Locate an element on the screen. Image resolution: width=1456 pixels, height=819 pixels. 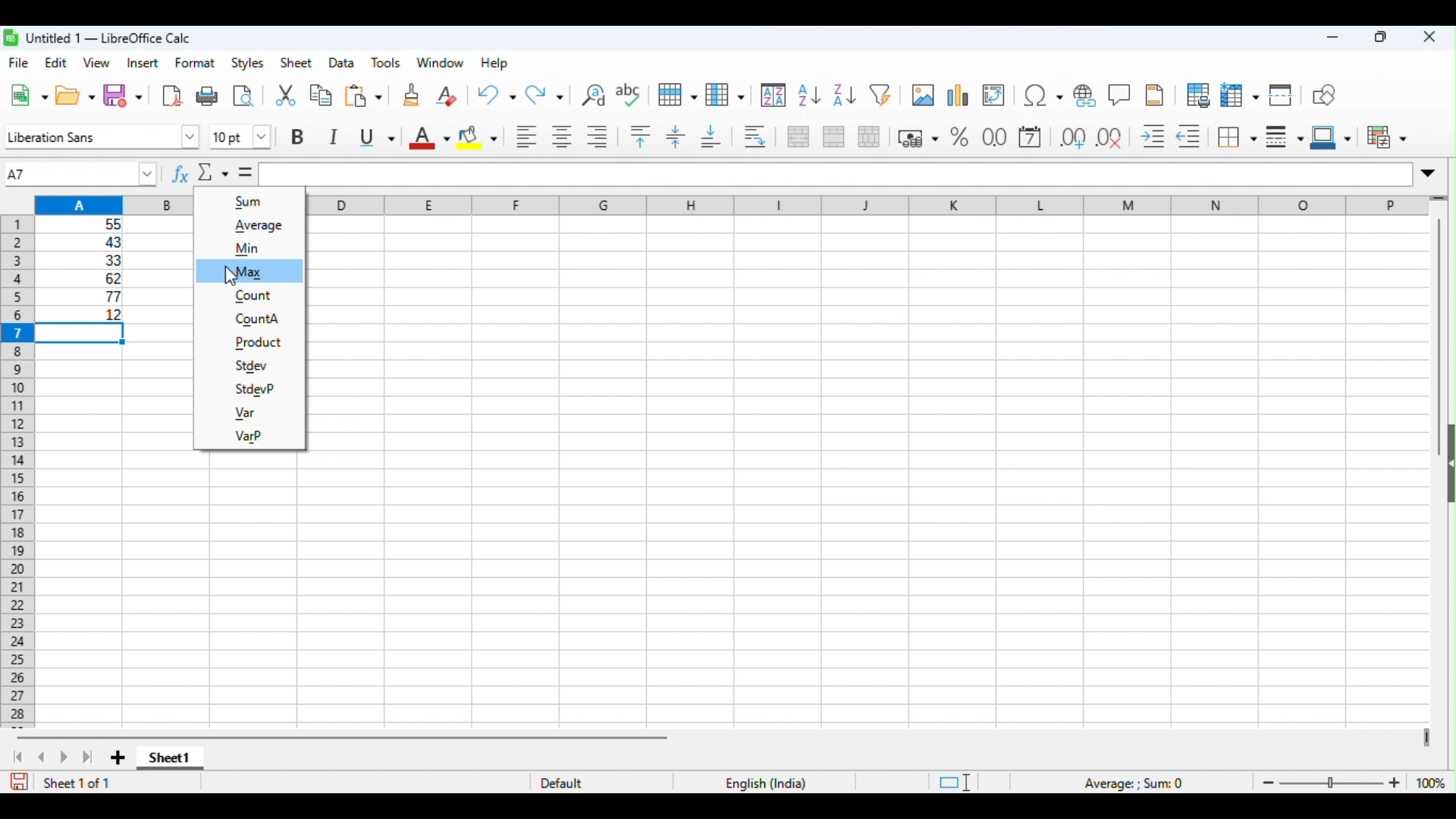
split window is located at coordinates (1284, 93).